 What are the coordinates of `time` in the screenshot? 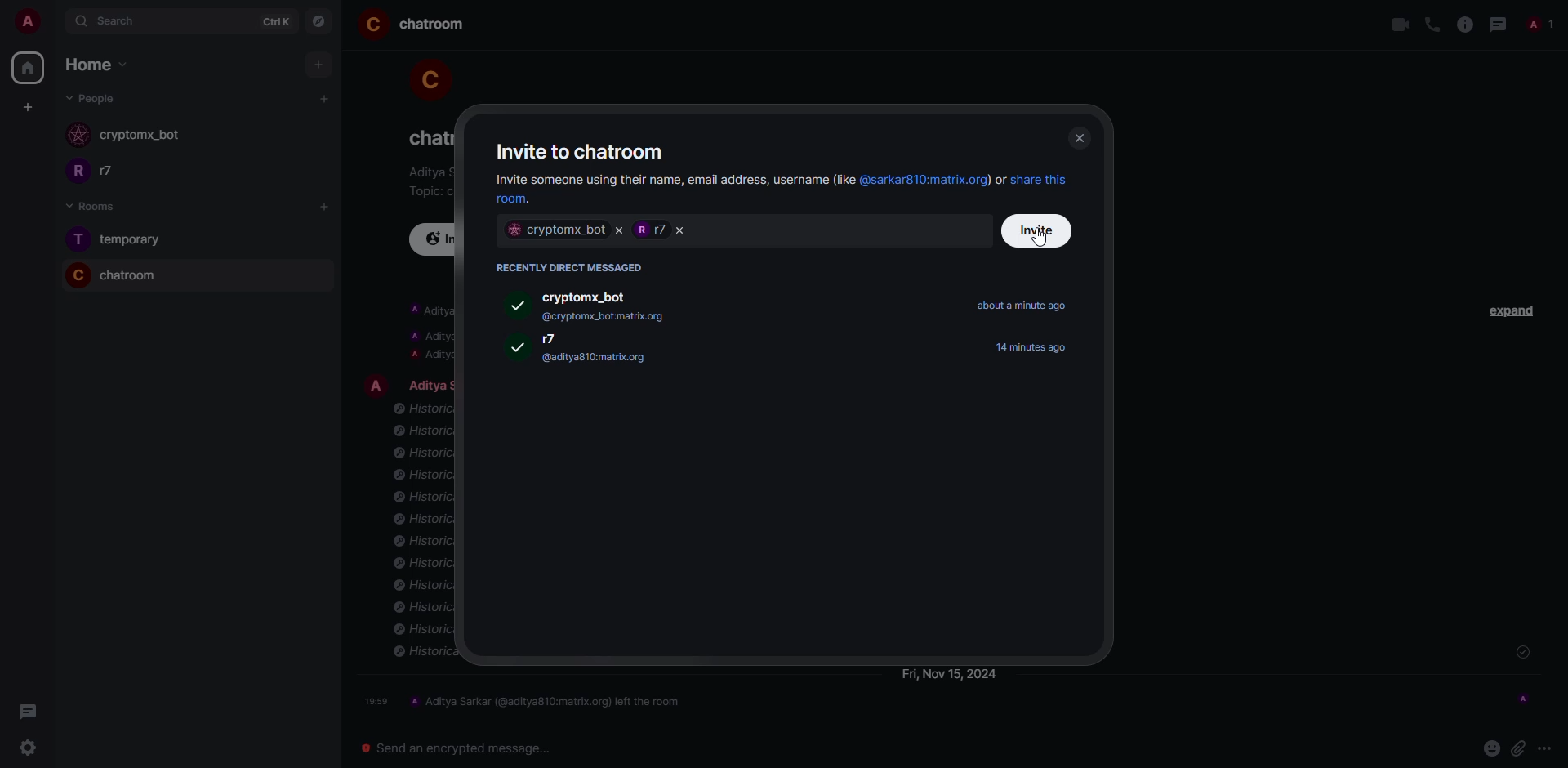 It's located at (377, 701).